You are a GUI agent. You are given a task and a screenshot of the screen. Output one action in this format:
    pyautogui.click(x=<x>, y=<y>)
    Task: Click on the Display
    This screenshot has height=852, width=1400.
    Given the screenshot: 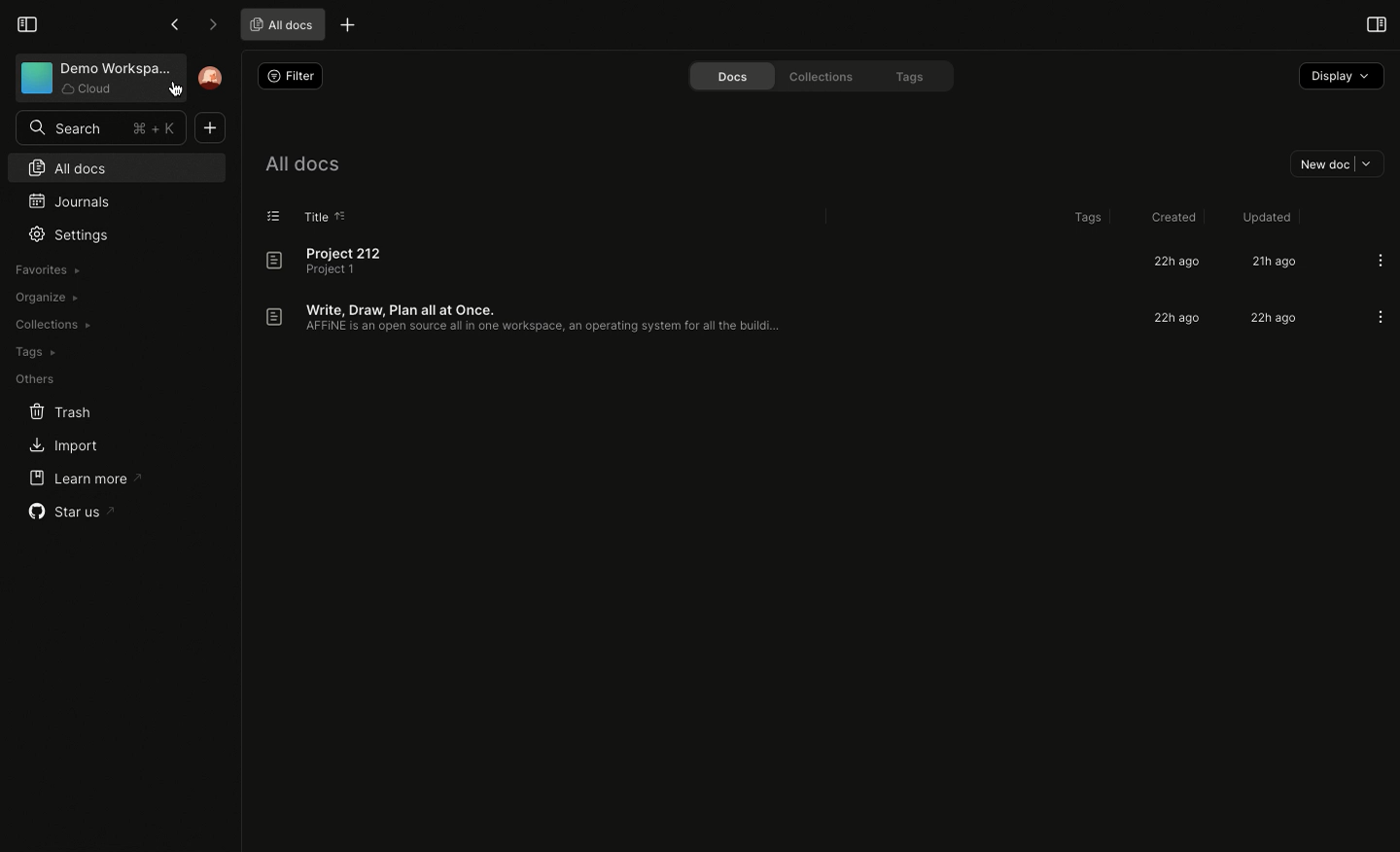 What is the action you would take?
    pyautogui.click(x=1340, y=77)
    